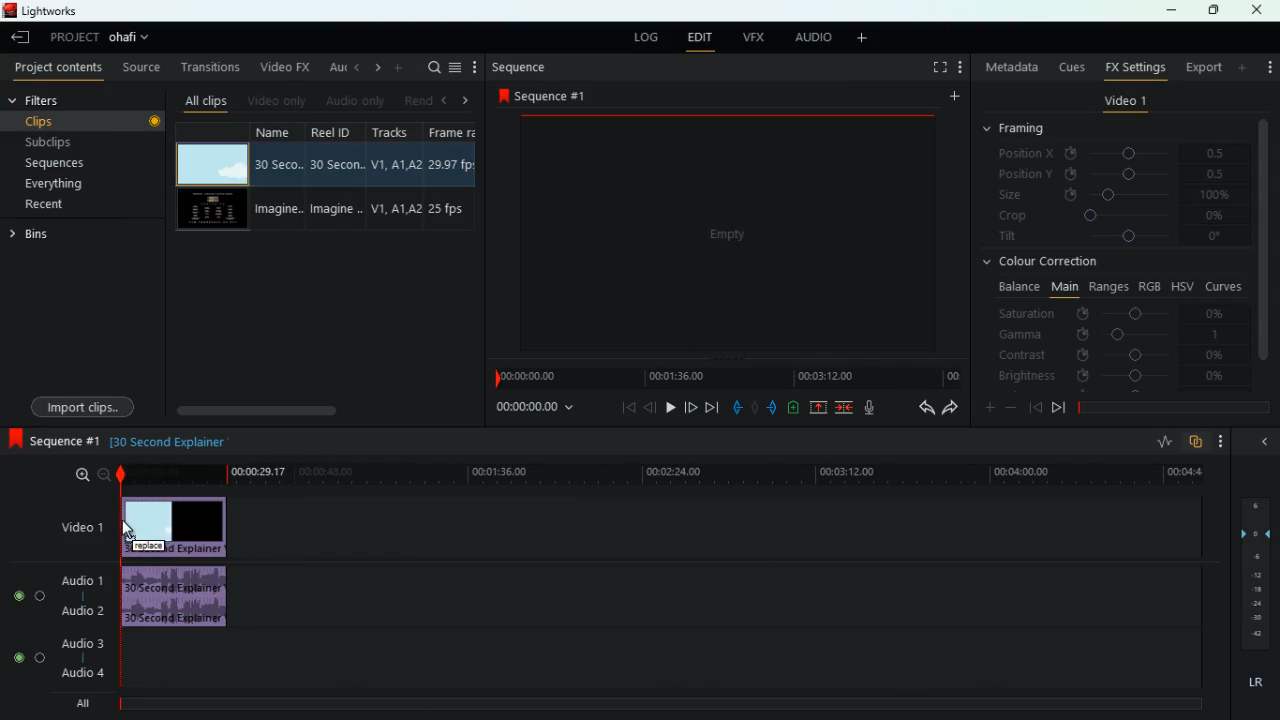 The height and width of the screenshot is (720, 1280). I want to click on project, so click(74, 37).